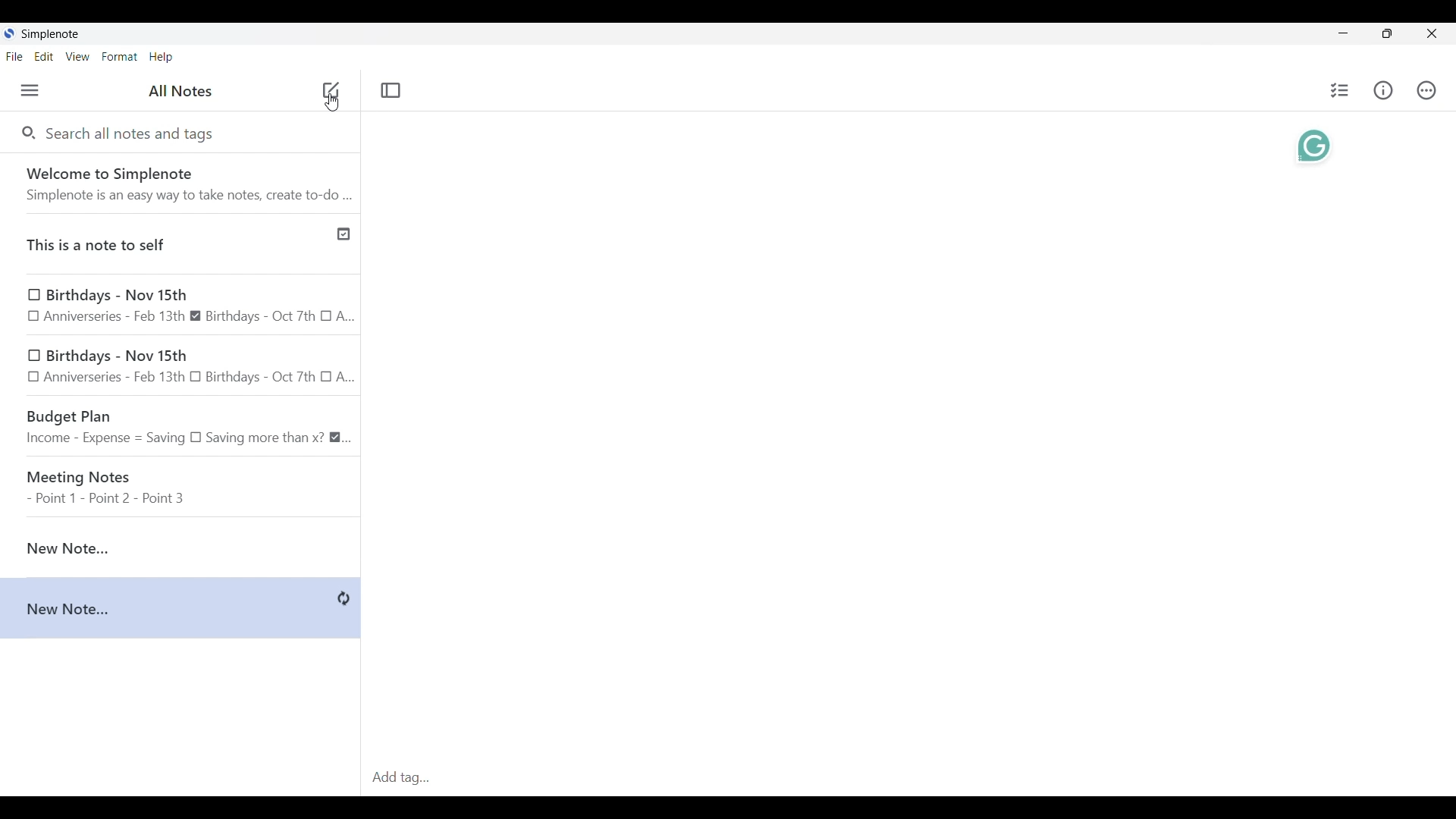  I want to click on Info, so click(1383, 90).